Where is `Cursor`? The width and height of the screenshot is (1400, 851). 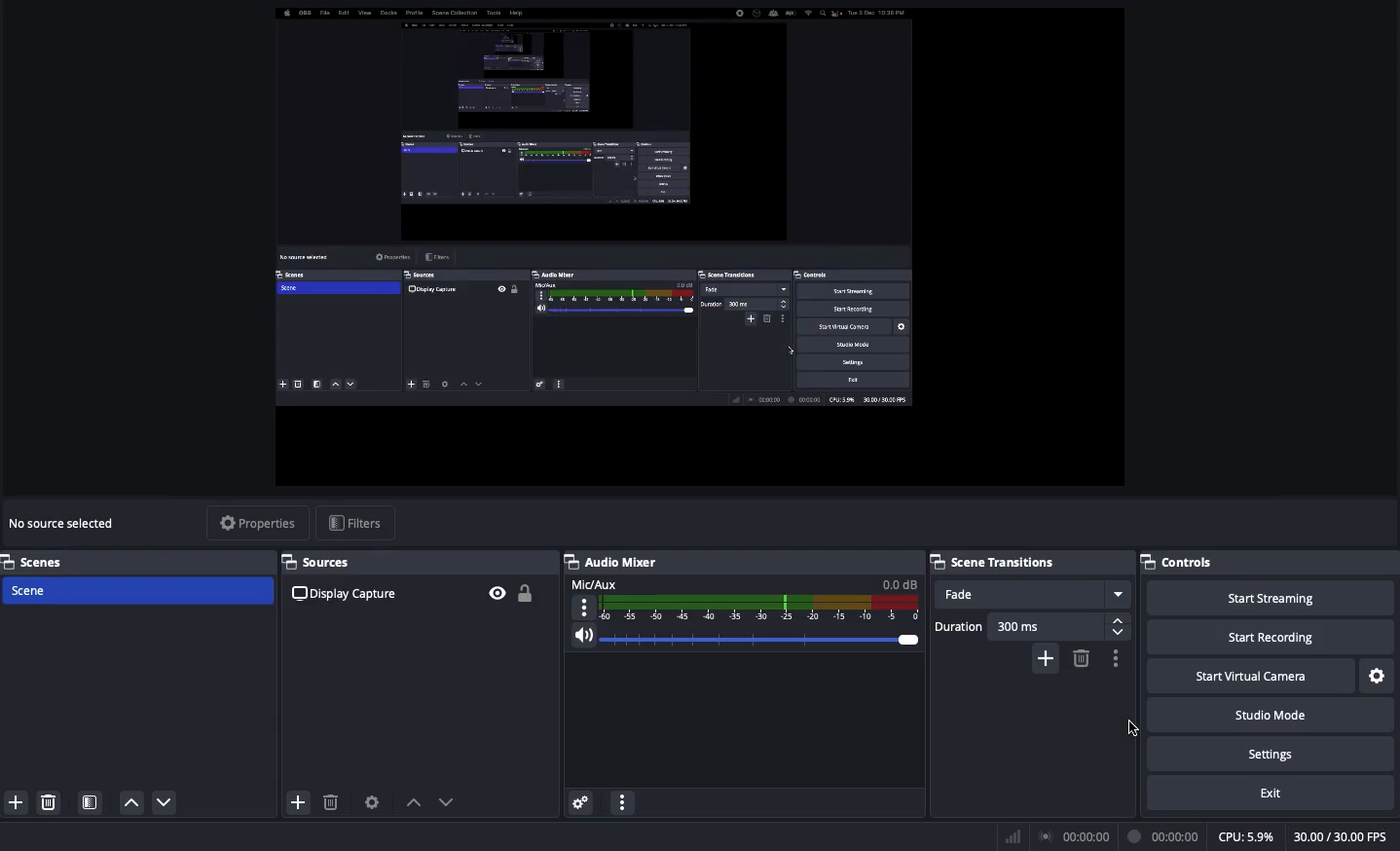 Cursor is located at coordinates (1129, 727).